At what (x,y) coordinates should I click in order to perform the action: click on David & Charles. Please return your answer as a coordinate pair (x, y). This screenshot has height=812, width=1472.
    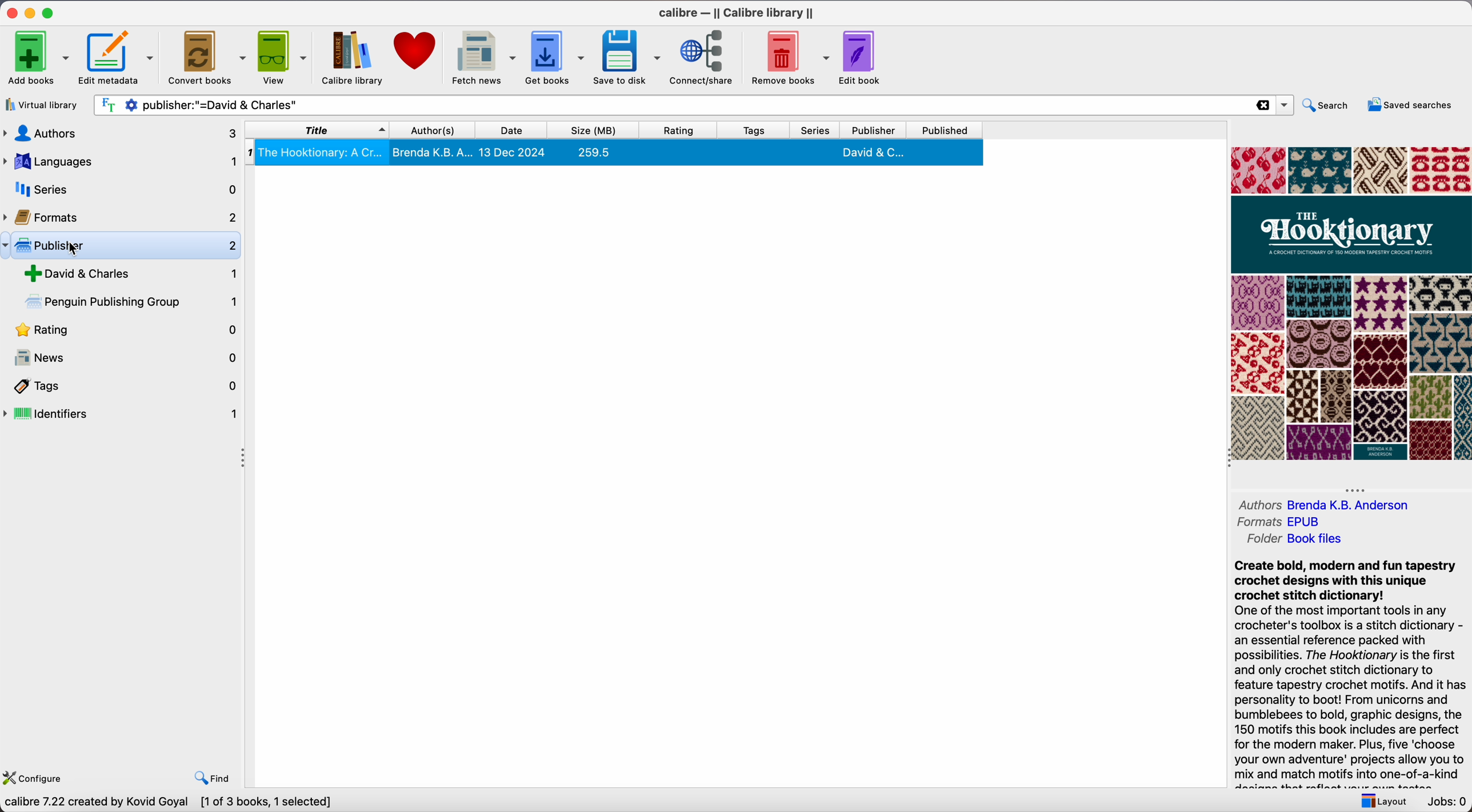
    Looking at the image, I should click on (129, 274).